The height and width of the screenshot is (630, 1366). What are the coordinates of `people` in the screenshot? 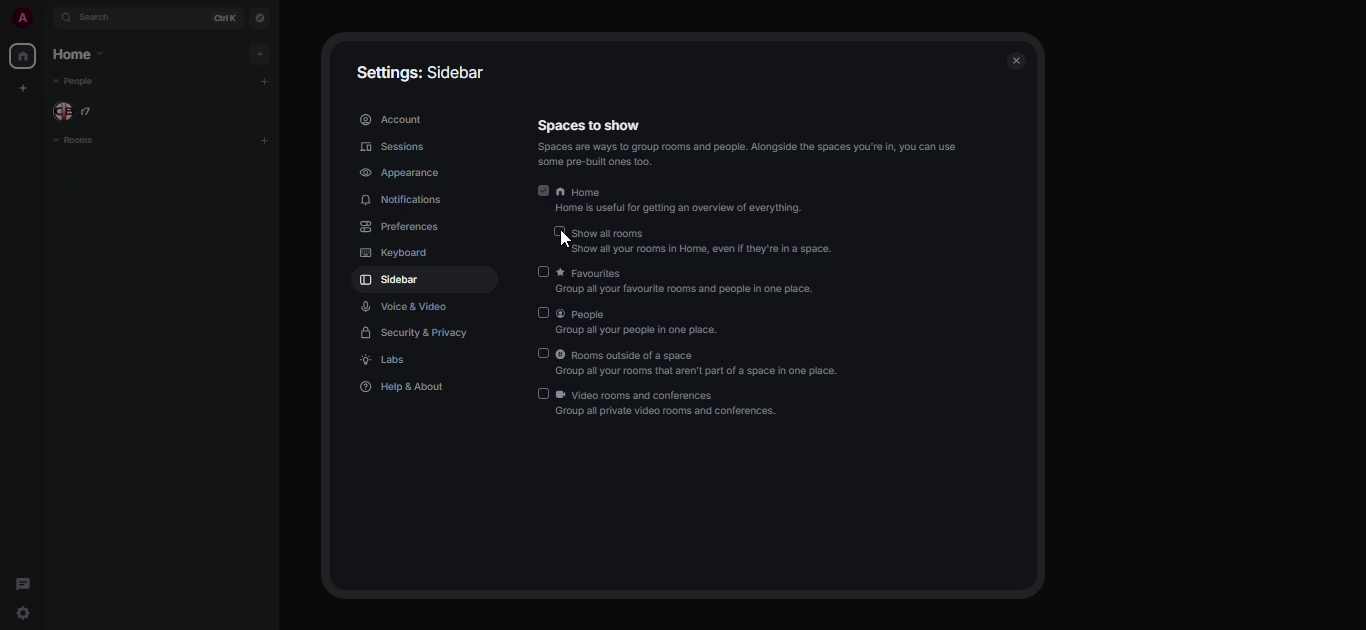 It's located at (82, 82).